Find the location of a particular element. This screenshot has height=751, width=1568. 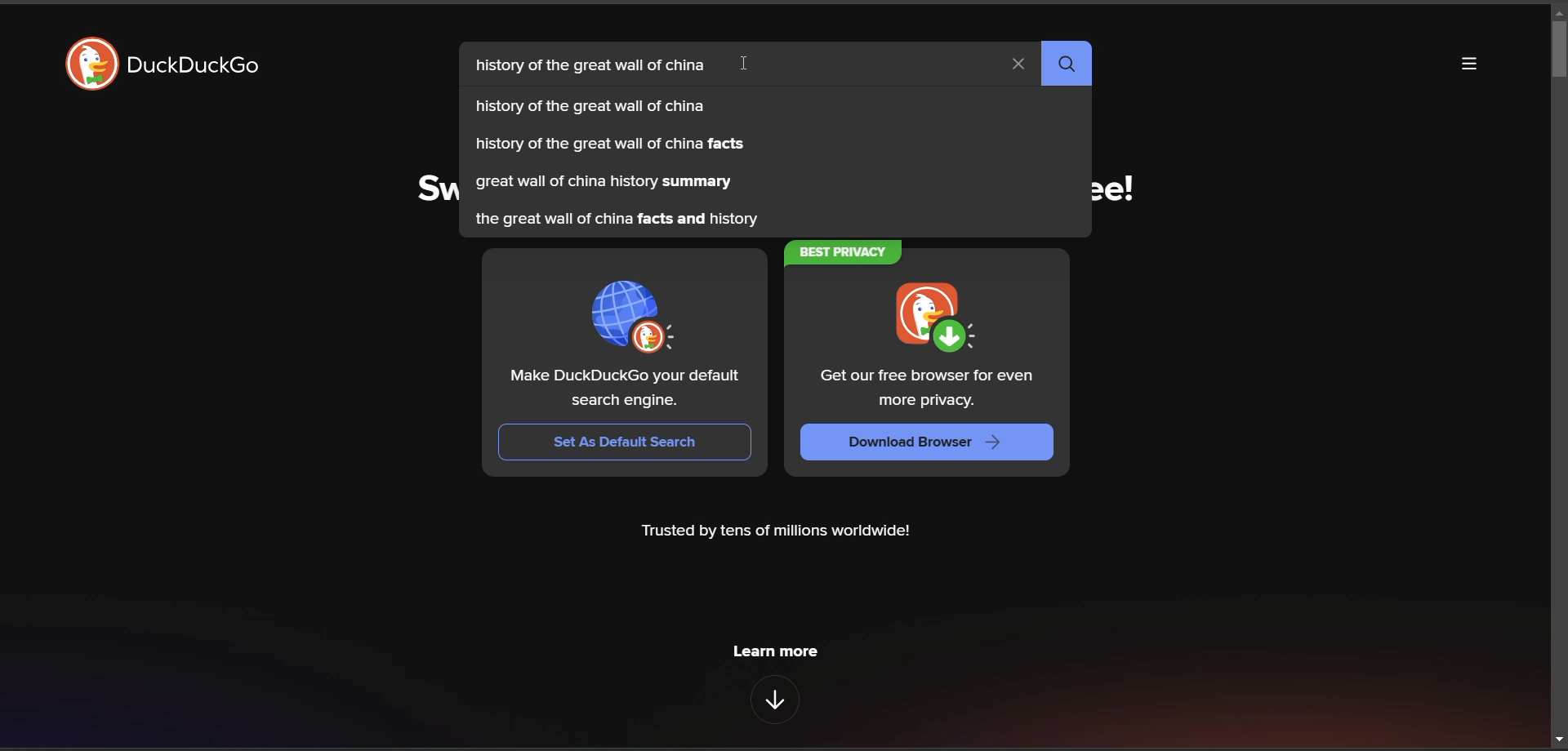

vertical scroll bar is located at coordinates (1558, 47).